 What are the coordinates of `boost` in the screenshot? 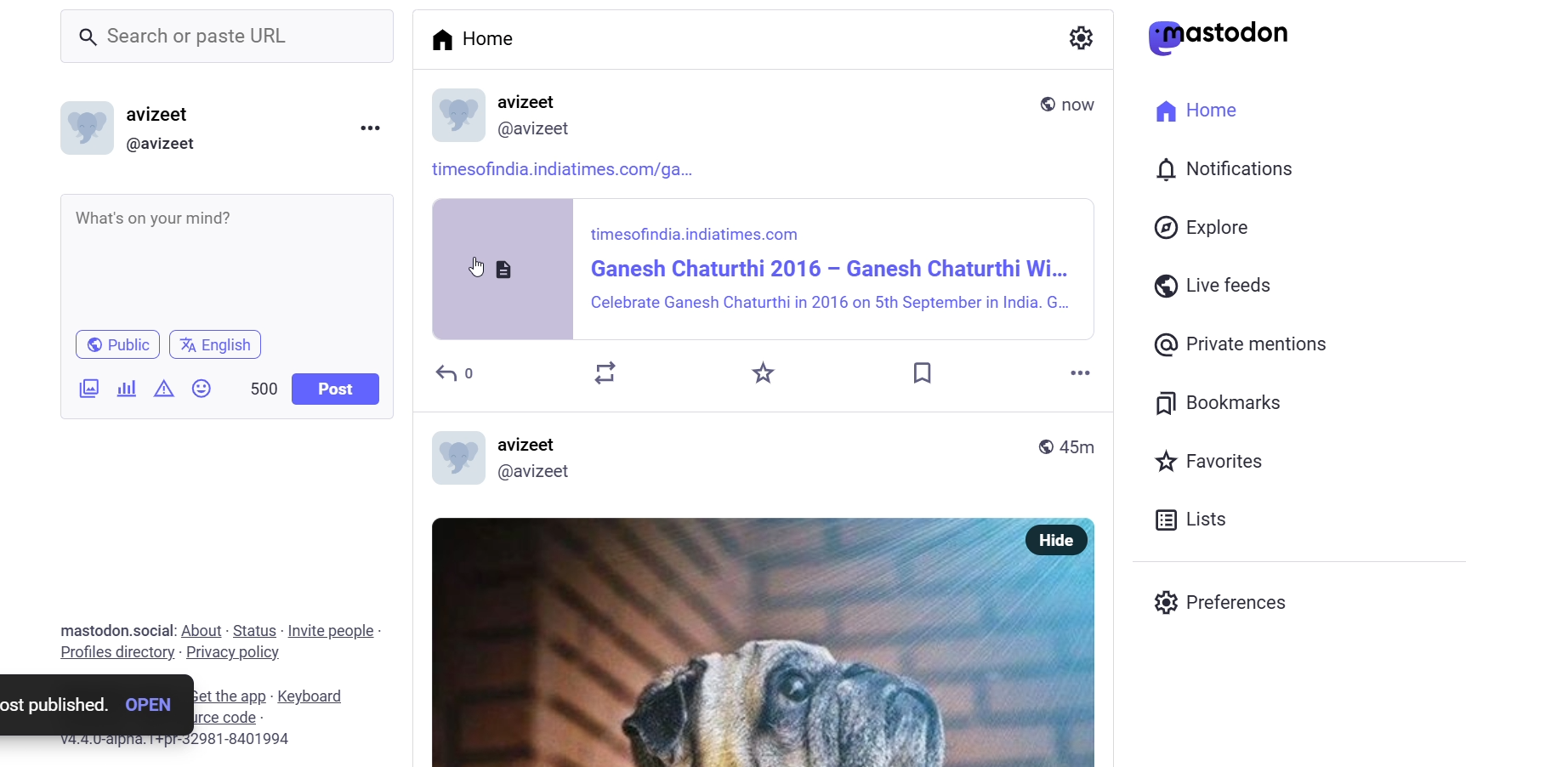 It's located at (599, 372).